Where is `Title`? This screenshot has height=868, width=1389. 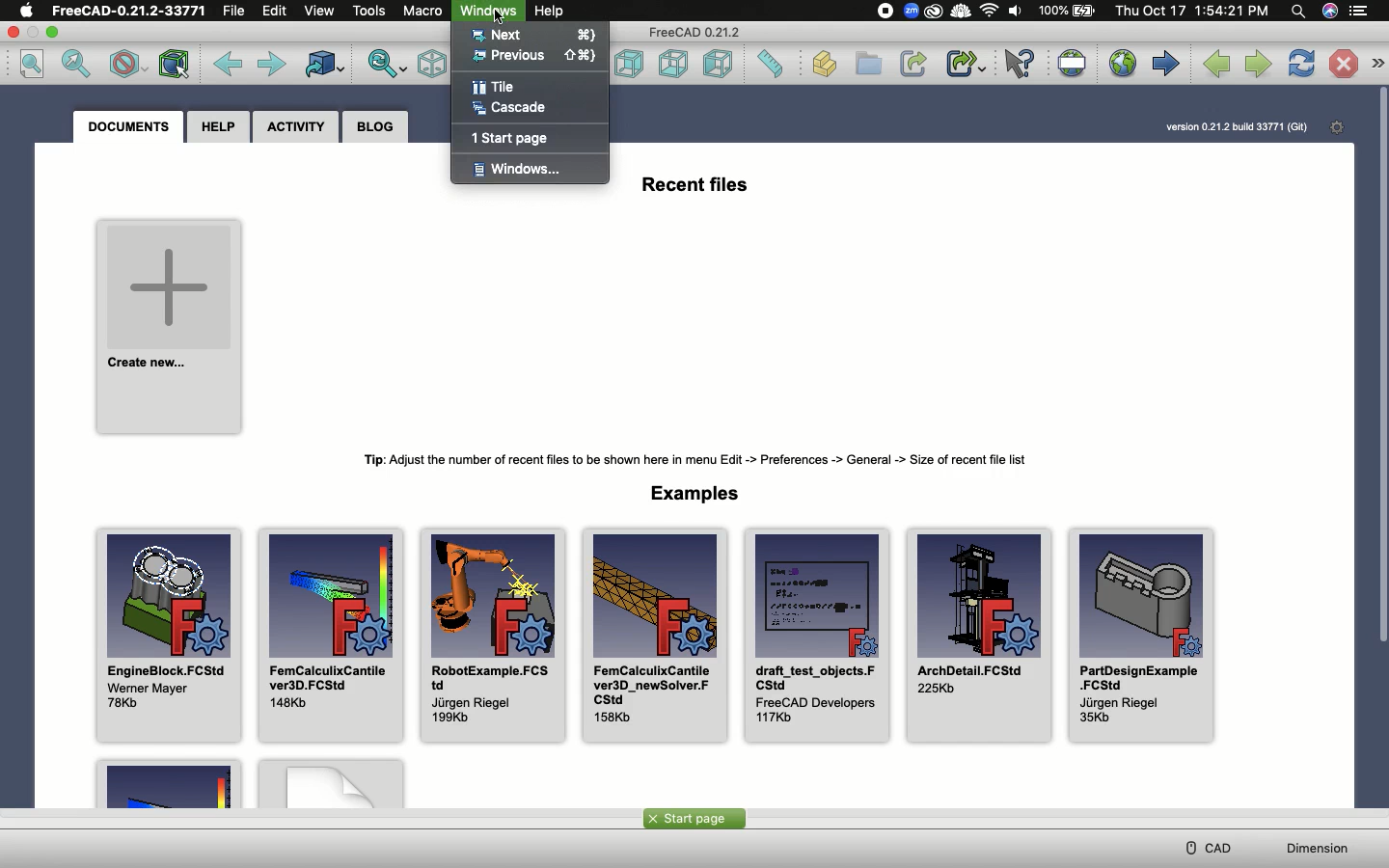
Title is located at coordinates (493, 88).